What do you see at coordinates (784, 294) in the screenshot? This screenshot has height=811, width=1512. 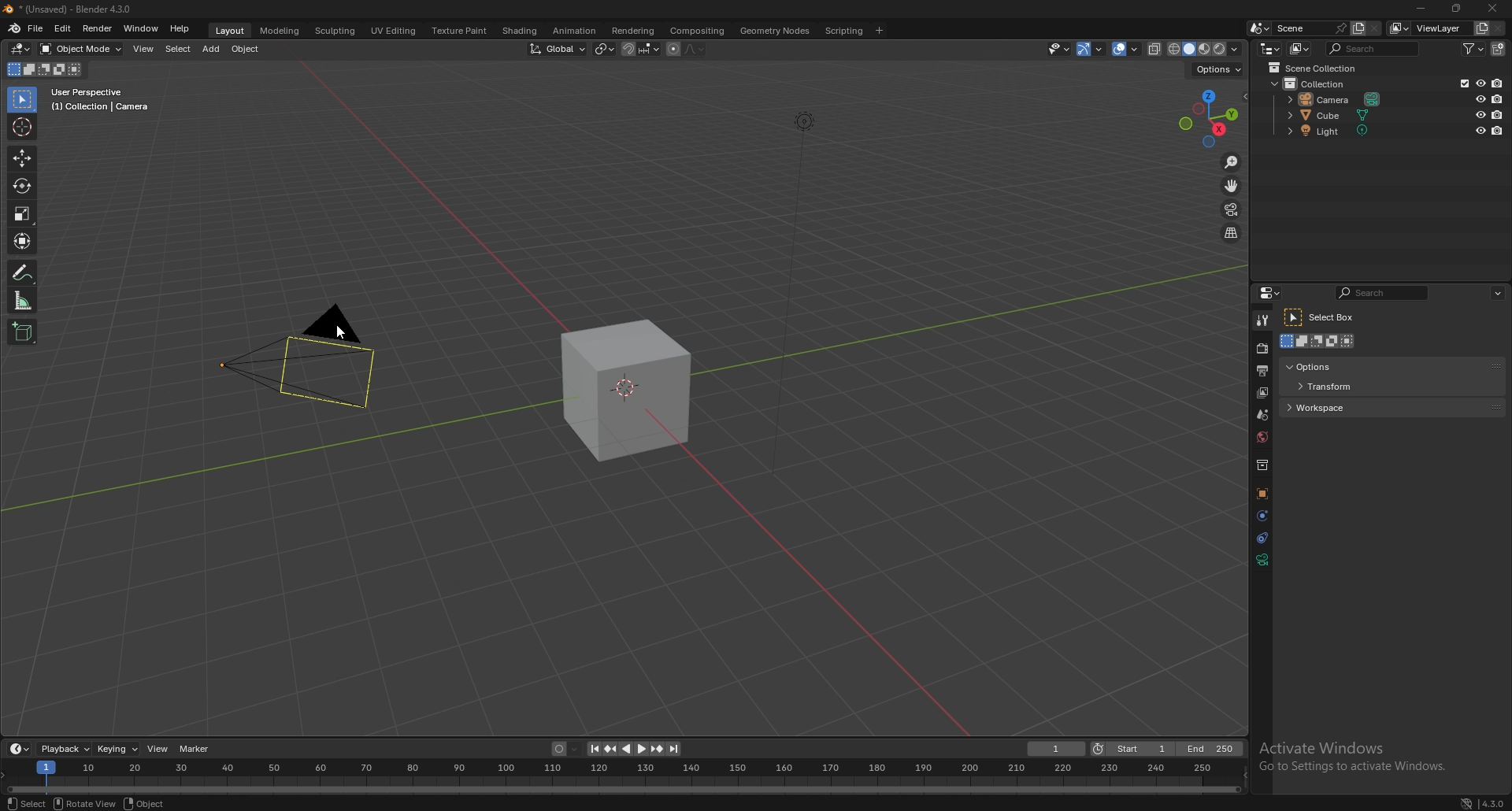 I see `` at bounding box center [784, 294].